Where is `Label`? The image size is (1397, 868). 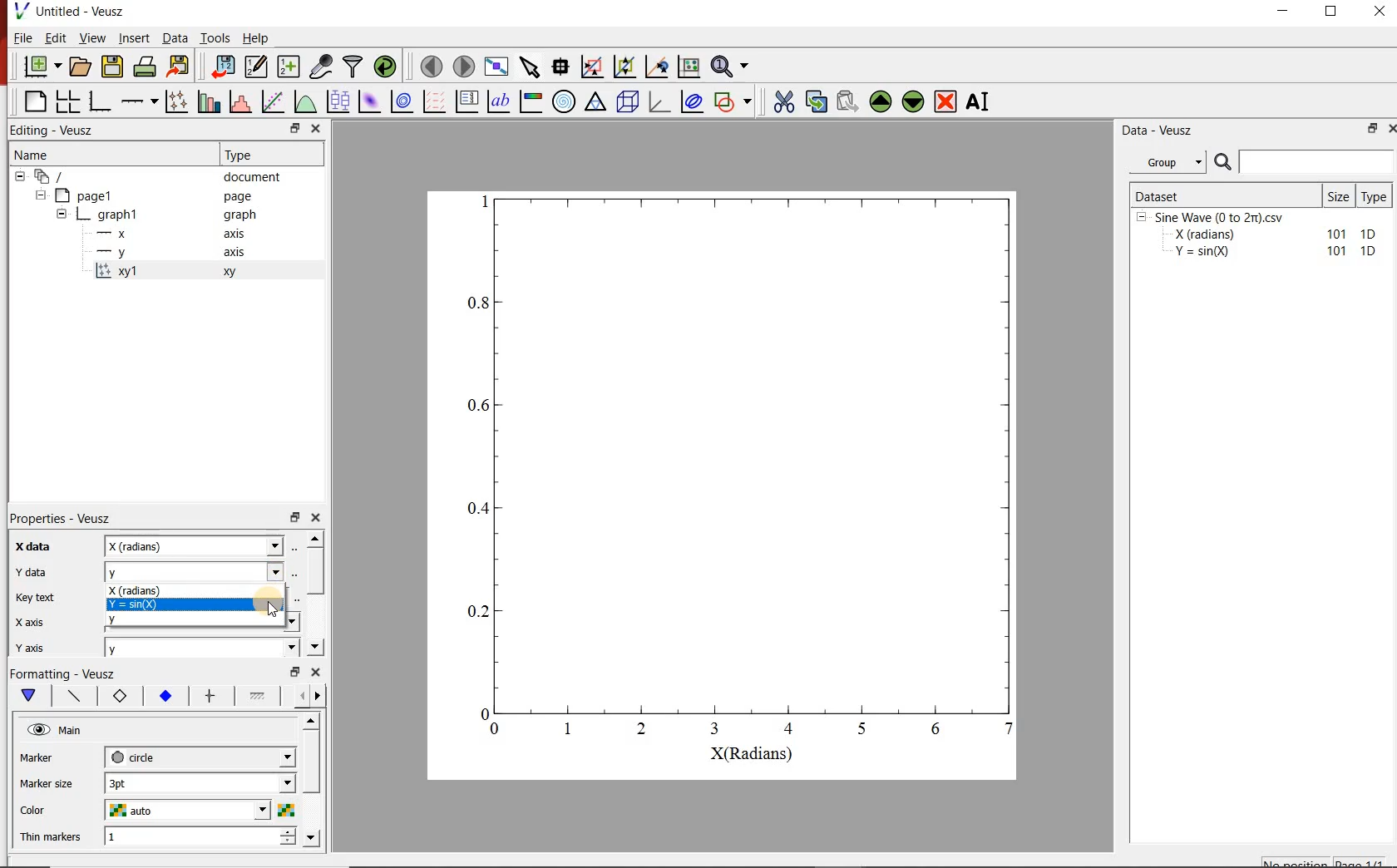
Label is located at coordinates (29, 545).